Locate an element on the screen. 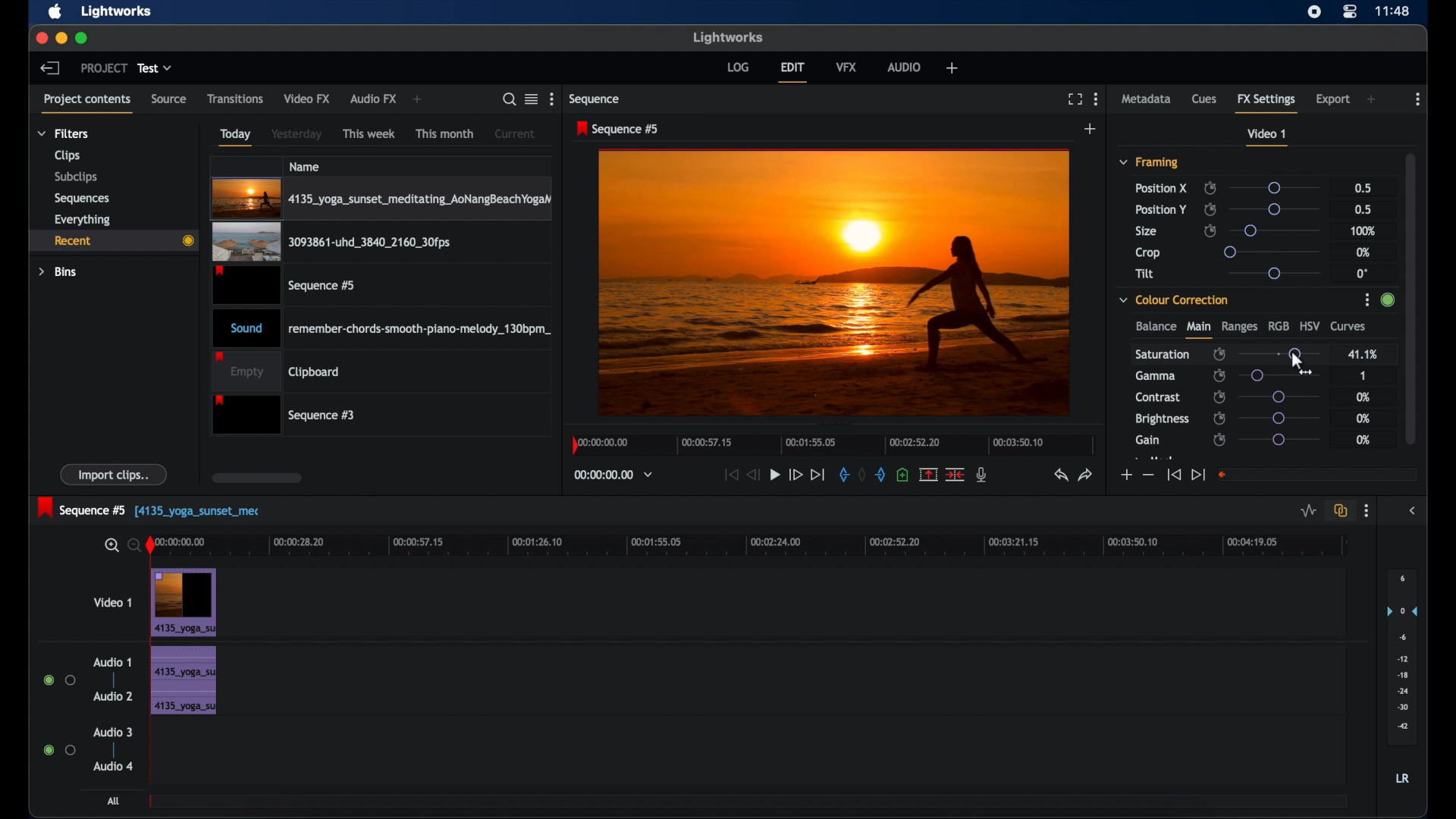 The height and width of the screenshot is (819, 1456). export is located at coordinates (1333, 99).